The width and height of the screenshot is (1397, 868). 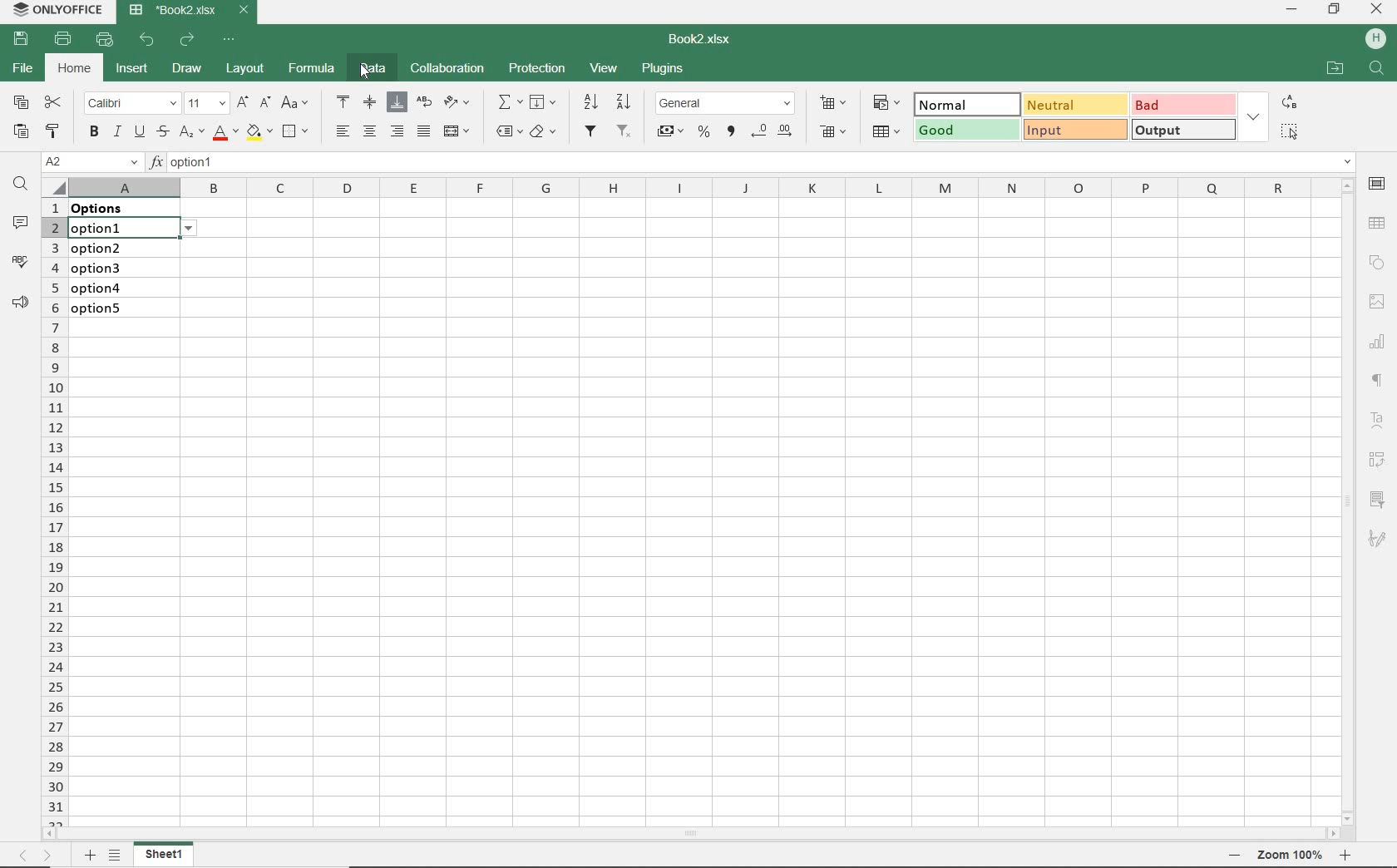 What do you see at coordinates (663, 70) in the screenshot?
I see `PLUGINS` at bounding box center [663, 70].